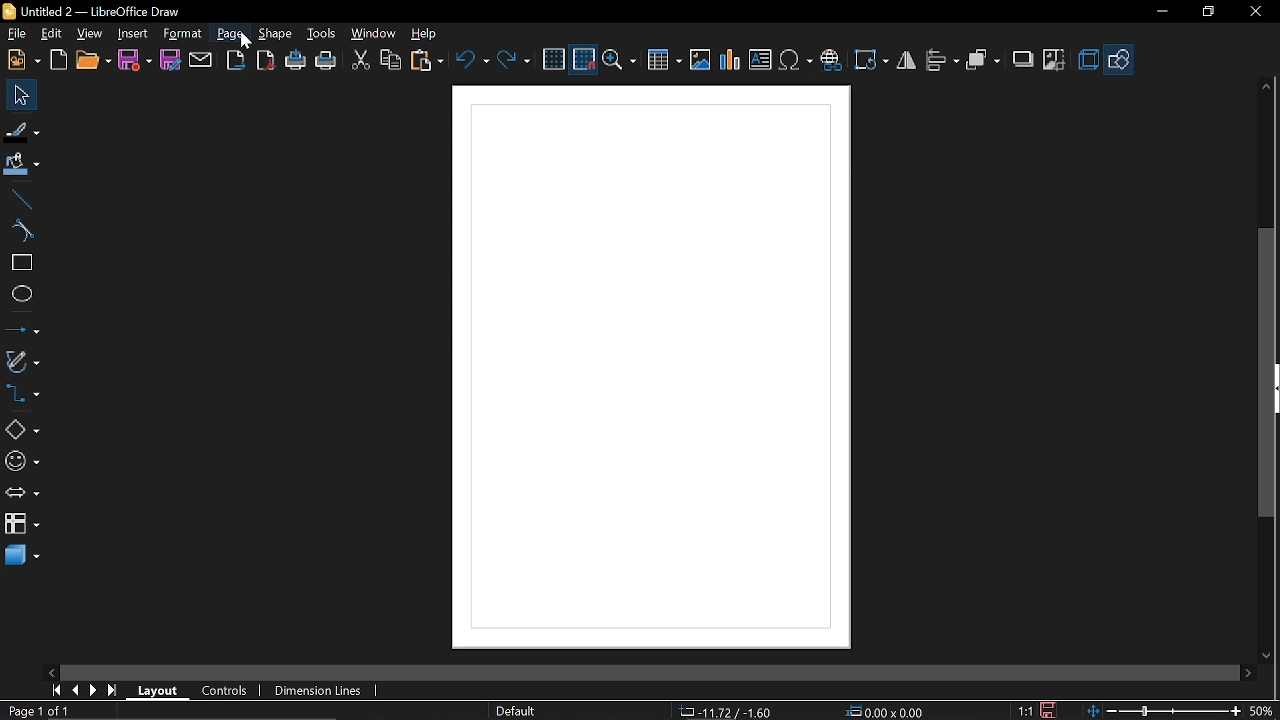  What do you see at coordinates (60, 60) in the screenshot?
I see `Open template` at bounding box center [60, 60].